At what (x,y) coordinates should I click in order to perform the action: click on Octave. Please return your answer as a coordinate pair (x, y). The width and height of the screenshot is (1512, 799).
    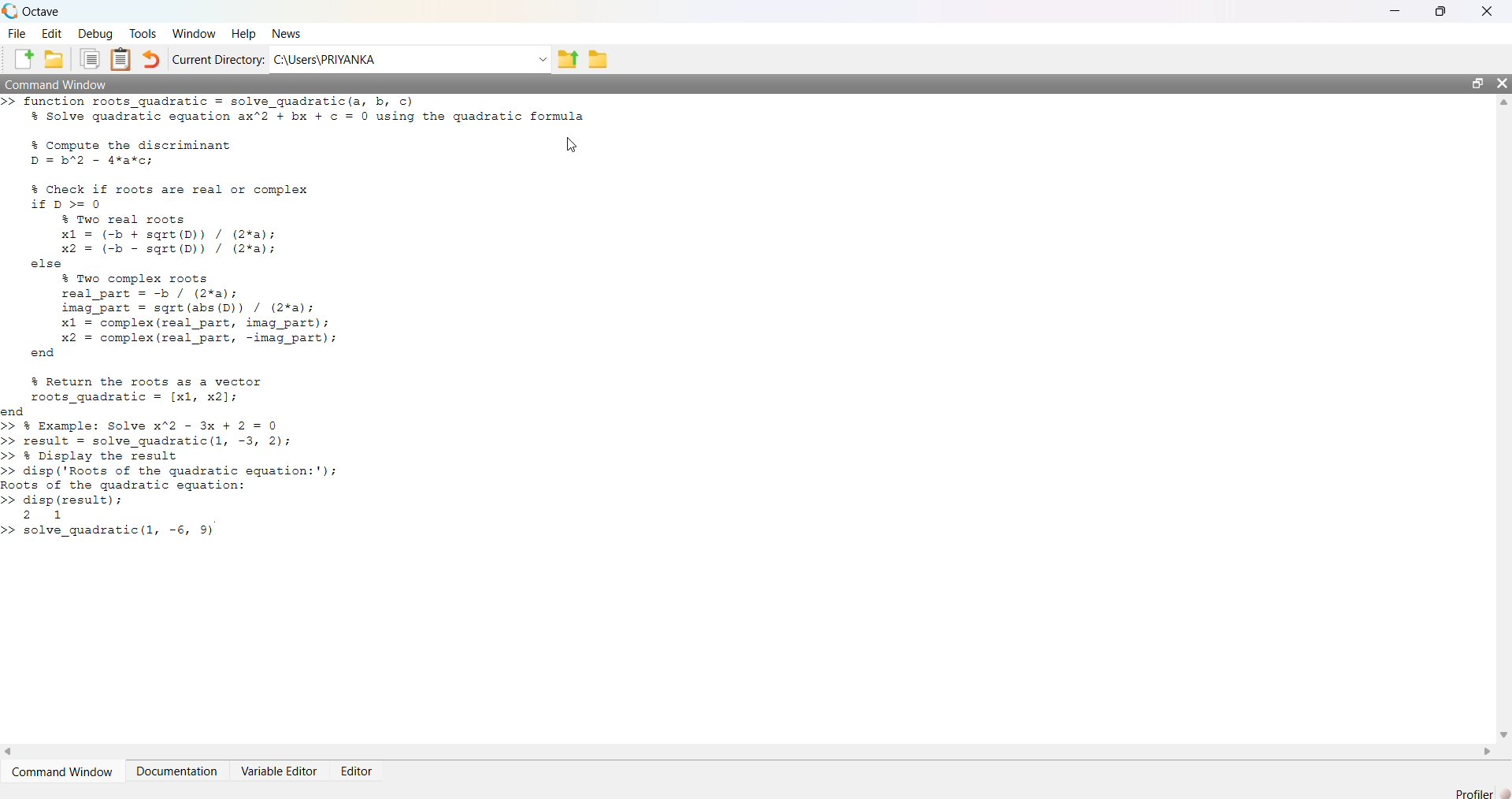
    Looking at the image, I should click on (37, 11).